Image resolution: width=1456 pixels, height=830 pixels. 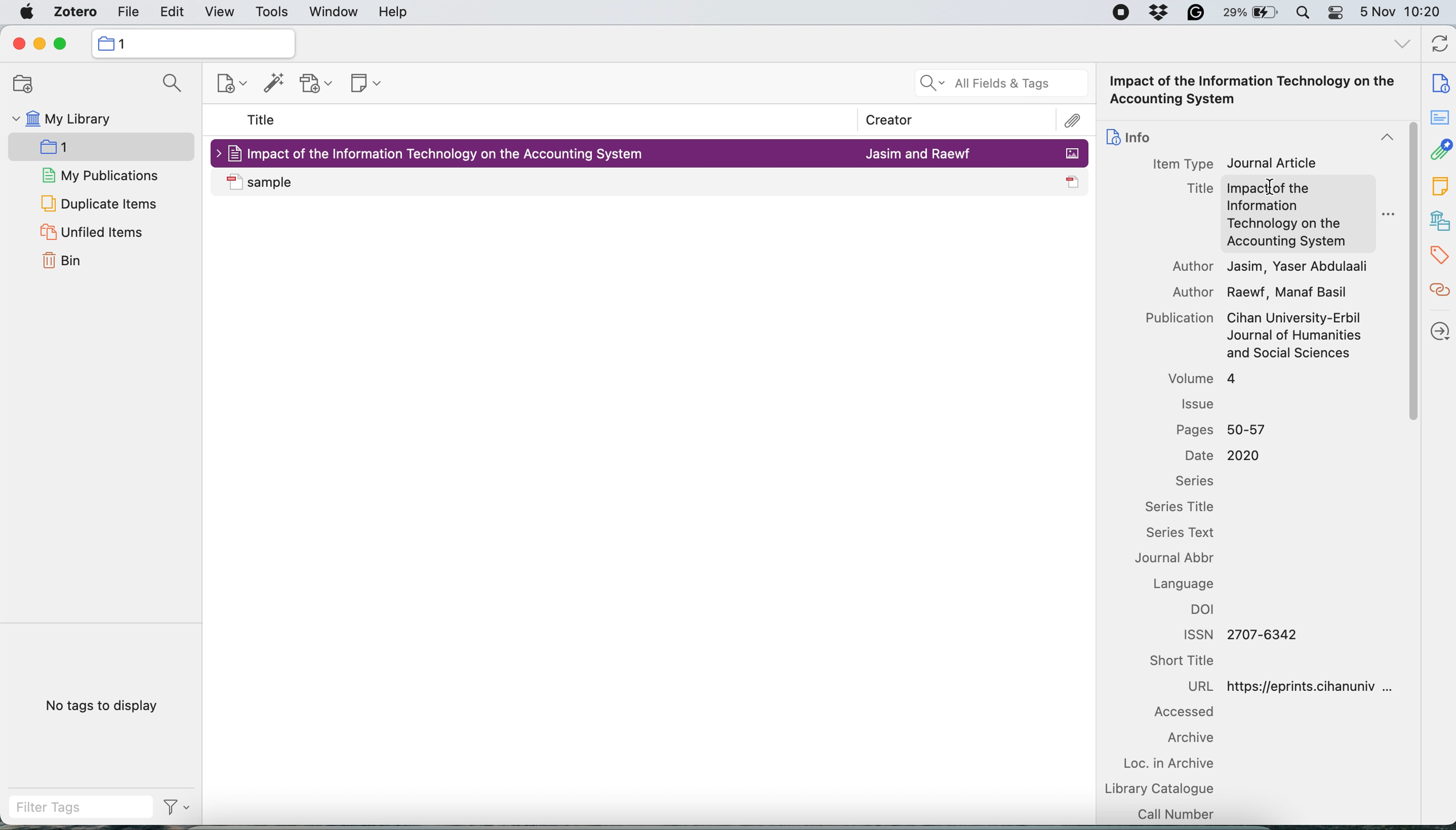 What do you see at coordinates (1123, 12) in the screenshot?
I see `screen recorder` at bounding box center [1123, 12].